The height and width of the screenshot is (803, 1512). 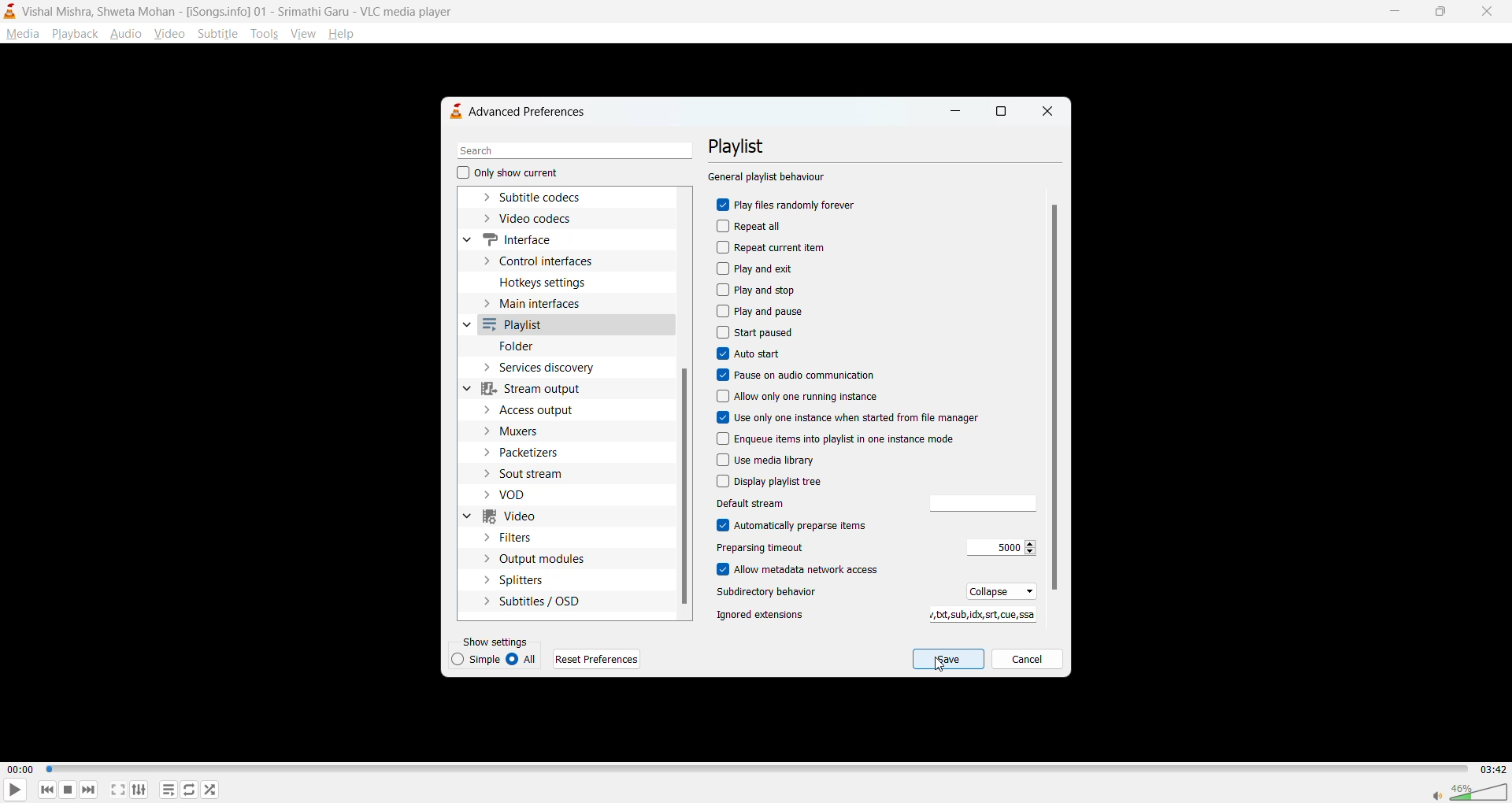 I want to click on 03:42, so click(x=1490, y=769).